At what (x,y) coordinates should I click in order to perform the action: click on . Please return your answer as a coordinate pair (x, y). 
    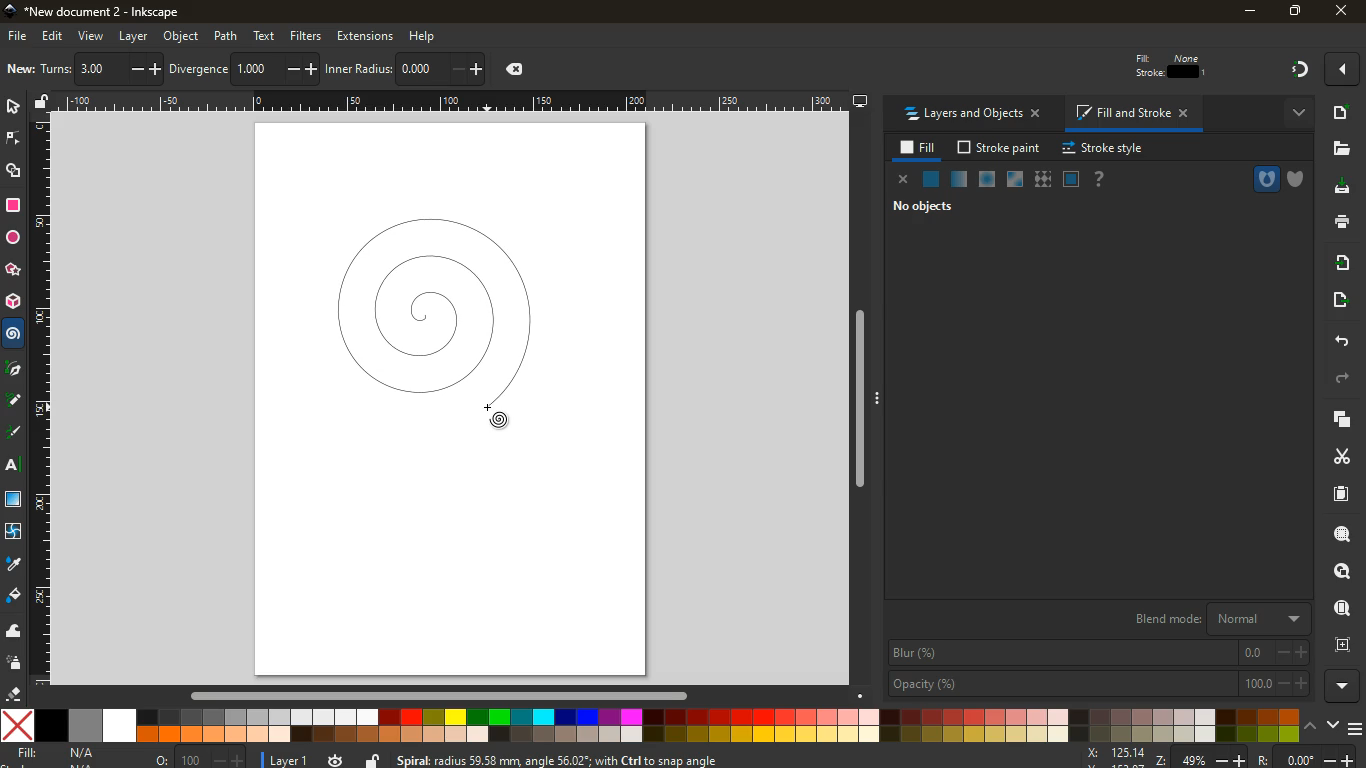
    Looking at the image, I should click on (40, 404).